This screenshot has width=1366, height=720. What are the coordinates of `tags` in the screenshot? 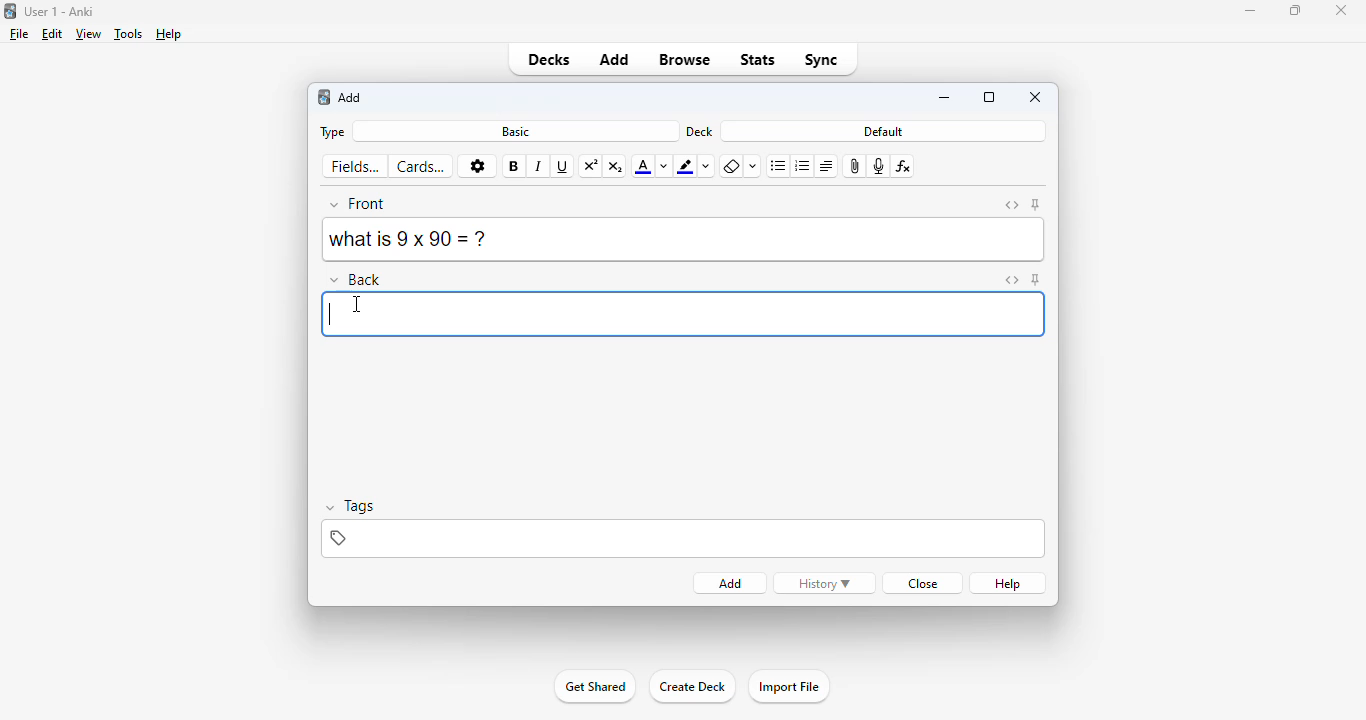 It's located at (353, 507).